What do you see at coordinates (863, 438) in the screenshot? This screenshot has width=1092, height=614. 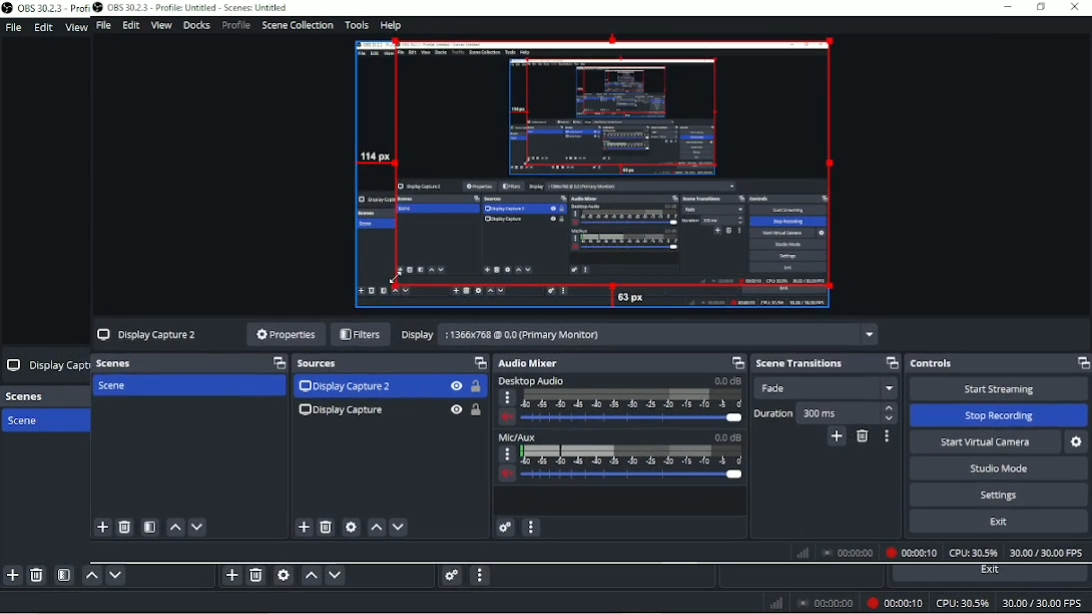 I see `Remove cofigurable transition` at bounding box center [863, 438].